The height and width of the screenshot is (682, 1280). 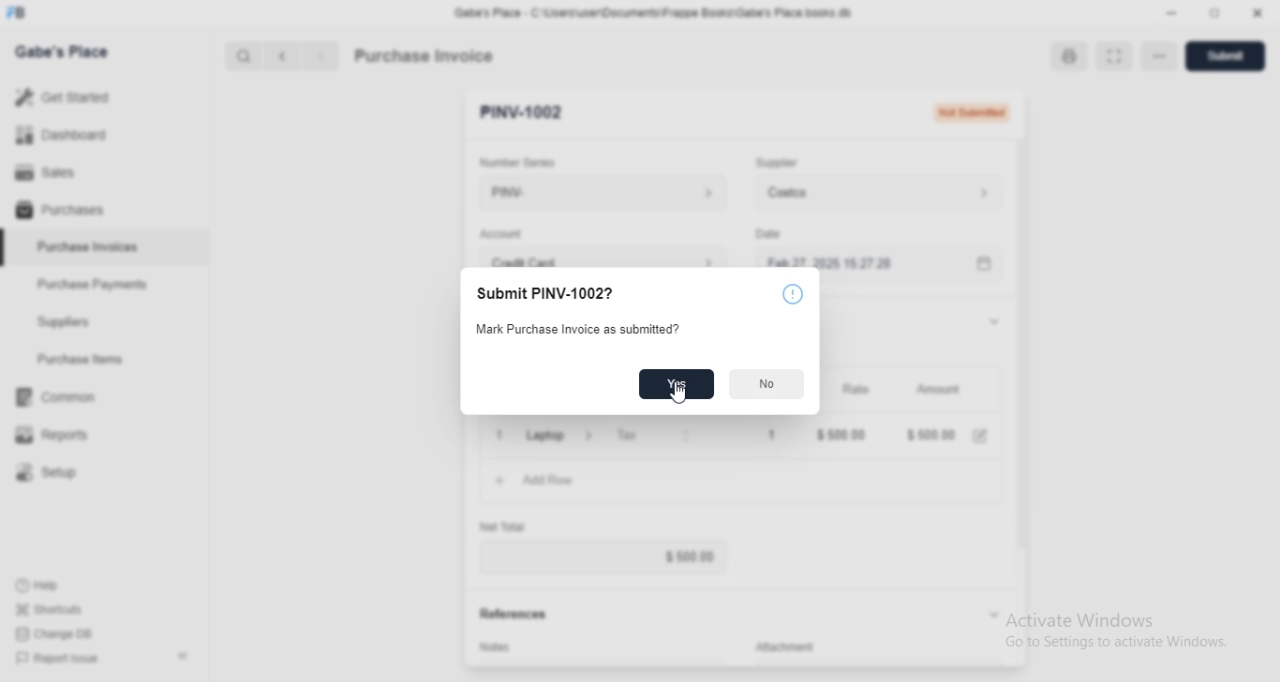 What do you see at coordinates (494, 646) in the screenshot?
I see `Notes` at bounding box center [494, 646].